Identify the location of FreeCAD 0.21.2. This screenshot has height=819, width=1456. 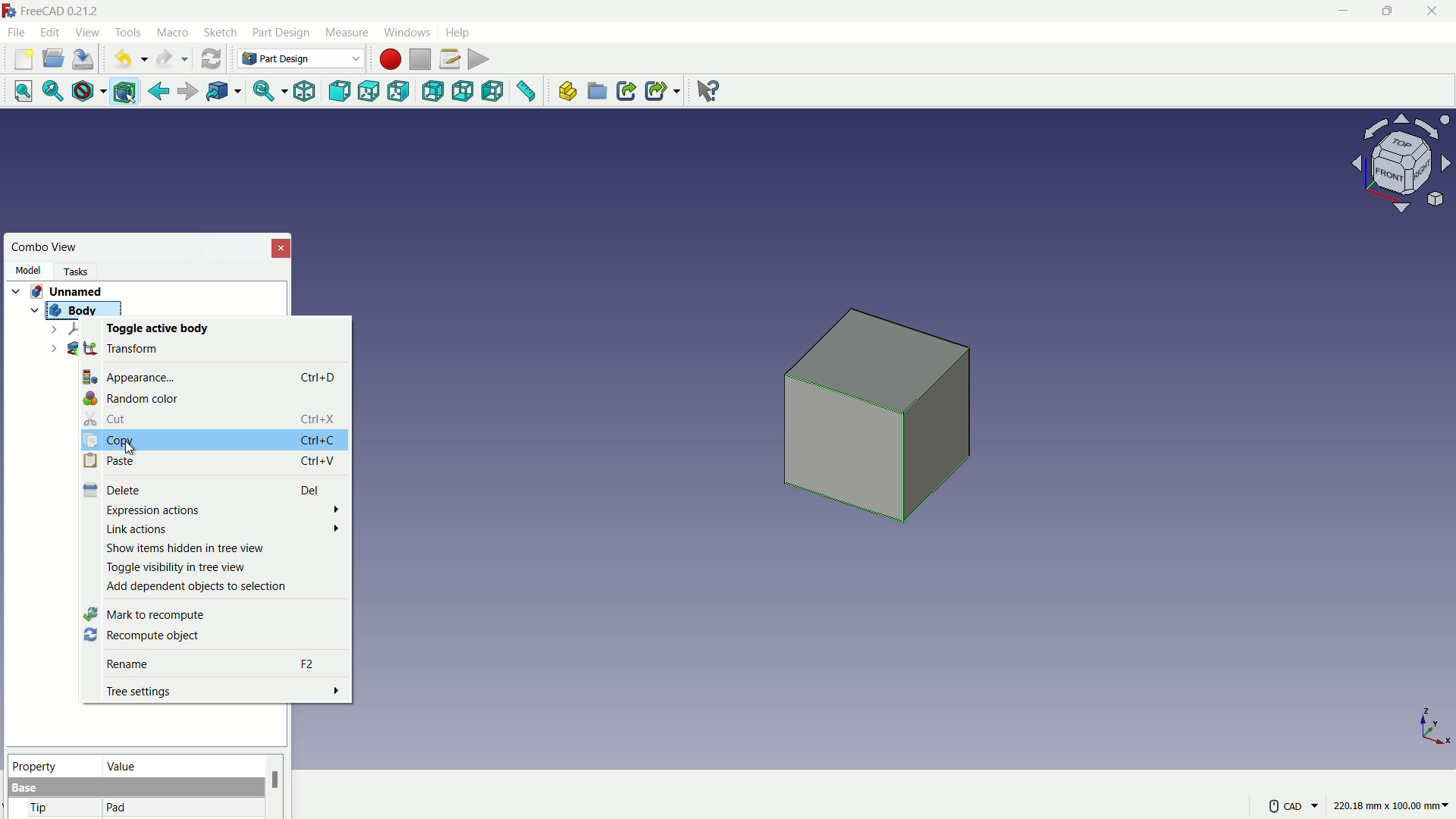
(53, 10).